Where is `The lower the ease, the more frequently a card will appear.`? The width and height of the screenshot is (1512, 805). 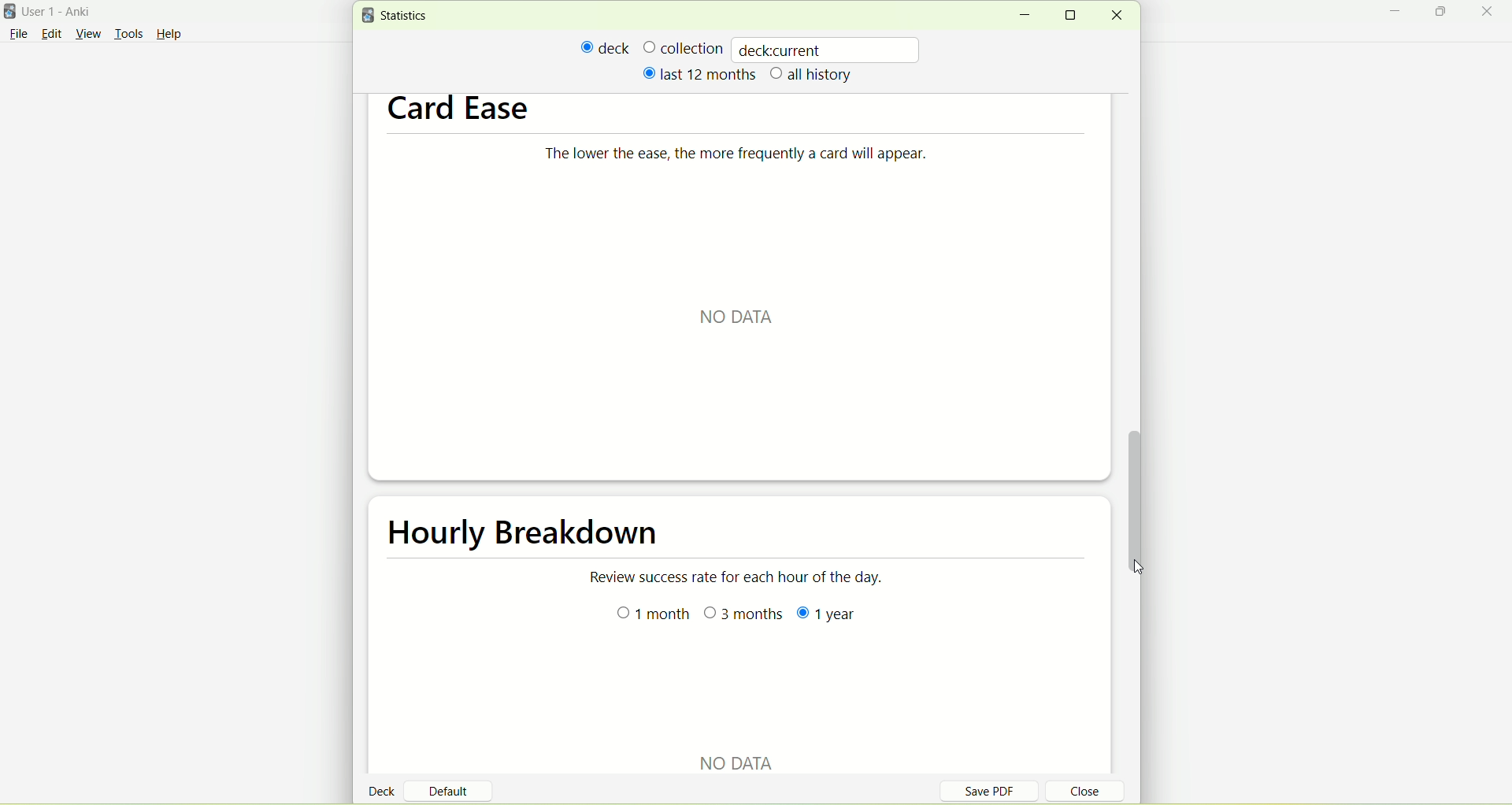
The lower the ease, the more frequently a card will appear. is located at coordinates (763, 158).